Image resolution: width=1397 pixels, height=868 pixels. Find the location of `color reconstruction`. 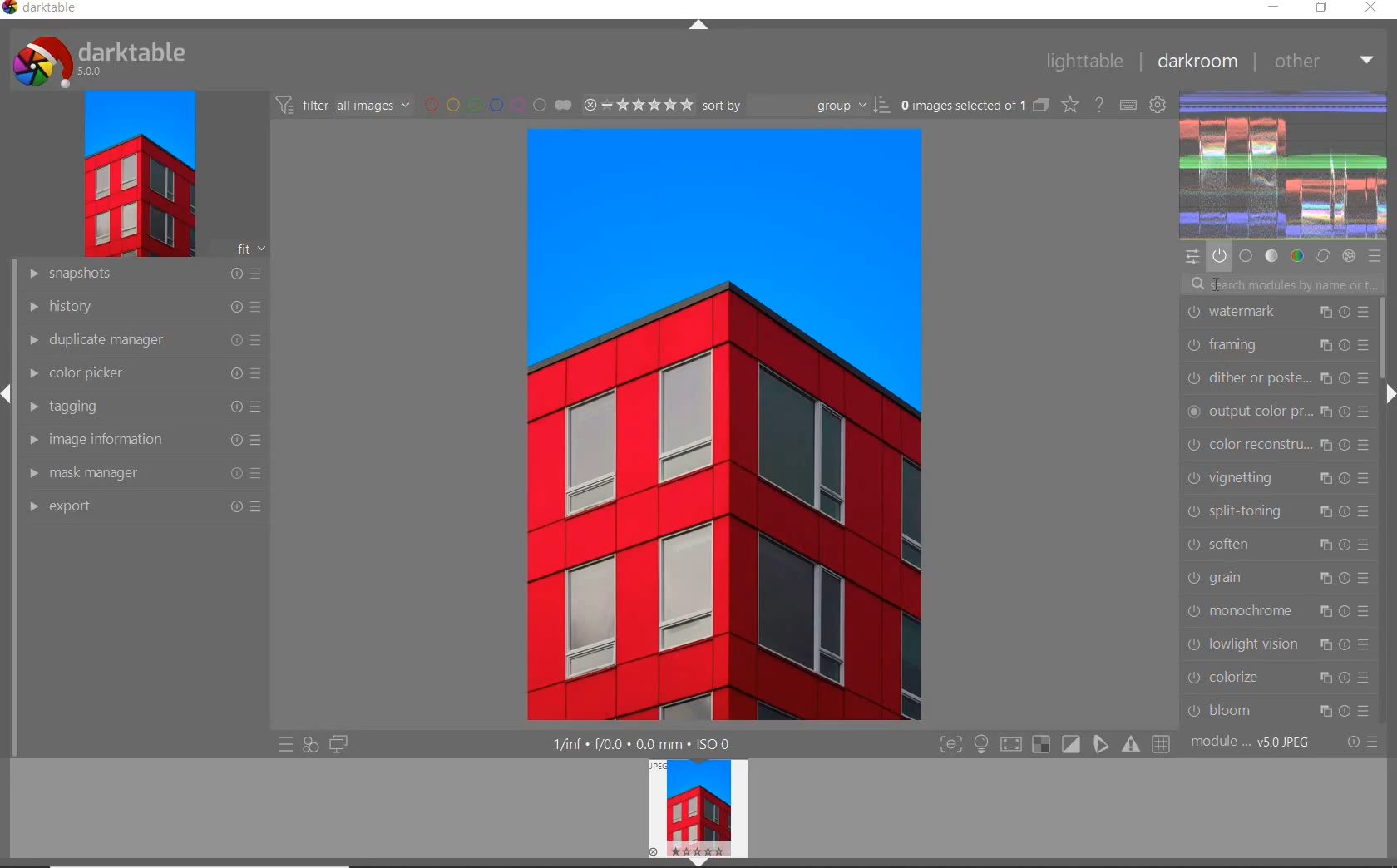

color reconstruction is located at coordinates (1278, 443).